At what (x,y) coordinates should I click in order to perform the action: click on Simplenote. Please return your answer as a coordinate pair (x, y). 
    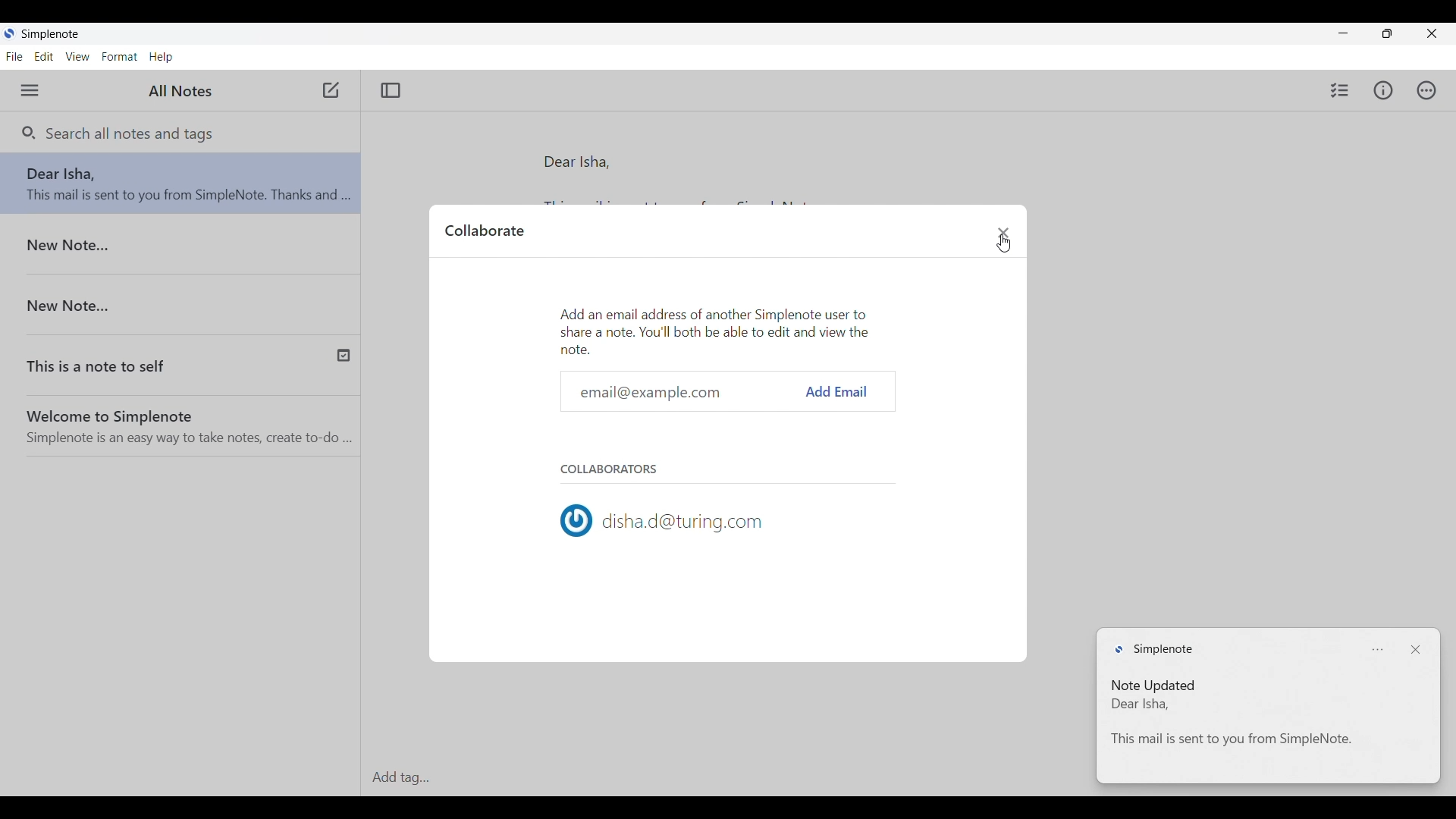
    Looking at the image, I should click on (72, 33).